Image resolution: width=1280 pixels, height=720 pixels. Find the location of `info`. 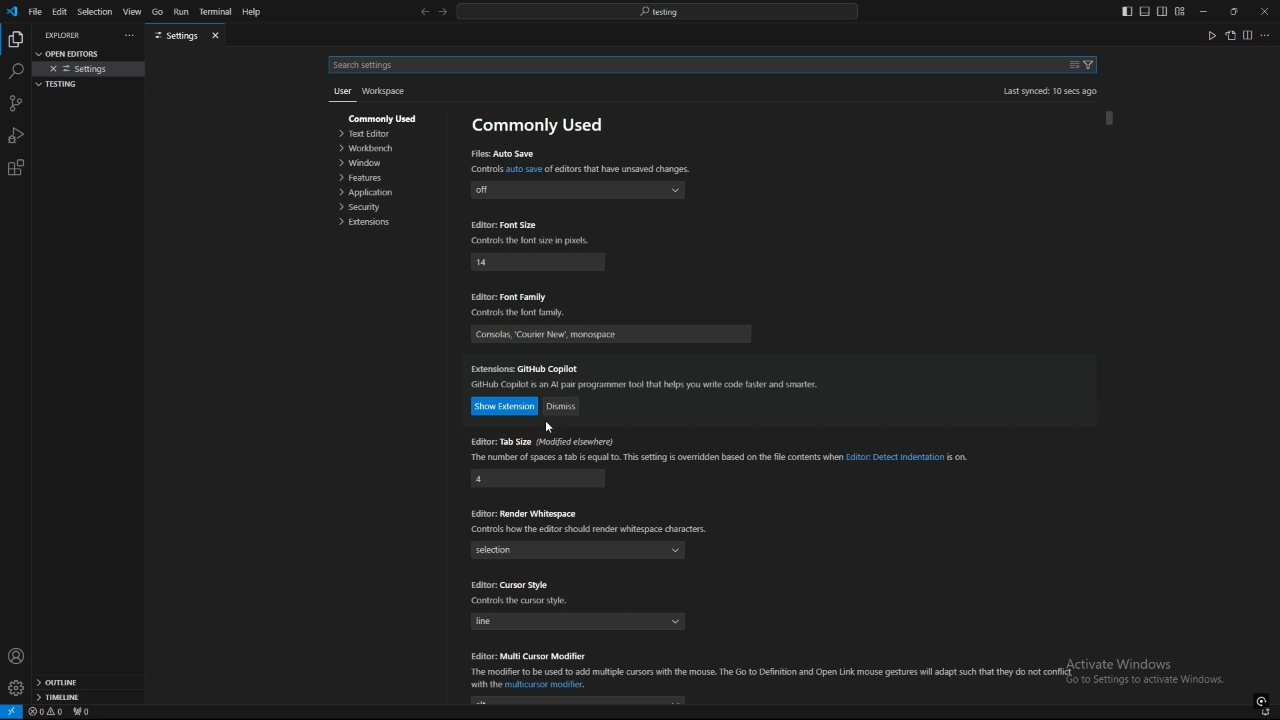

info is located at coordinates (541, 602).